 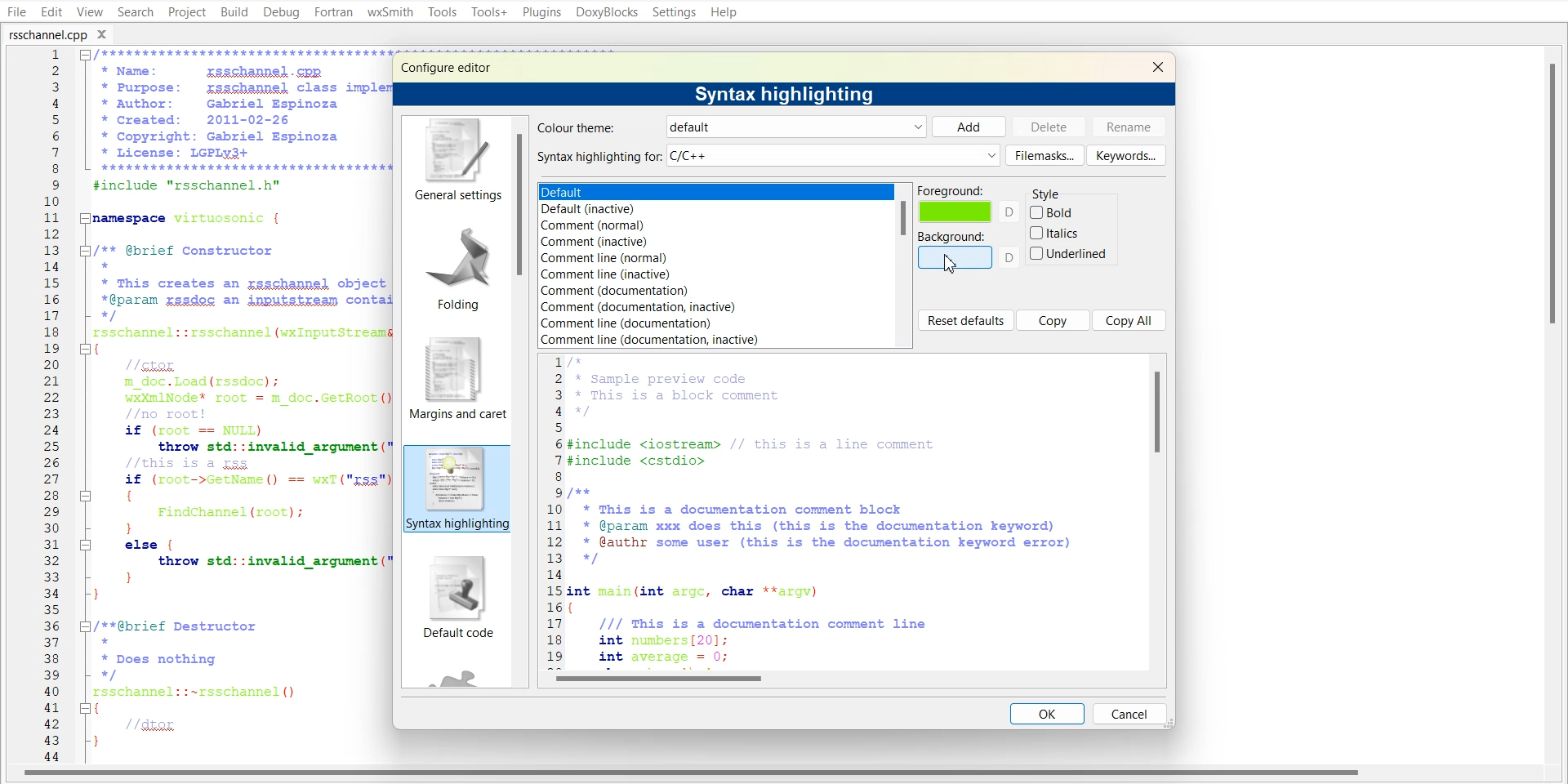 I want to click on Filemasks, so click(x=1045, y=155).